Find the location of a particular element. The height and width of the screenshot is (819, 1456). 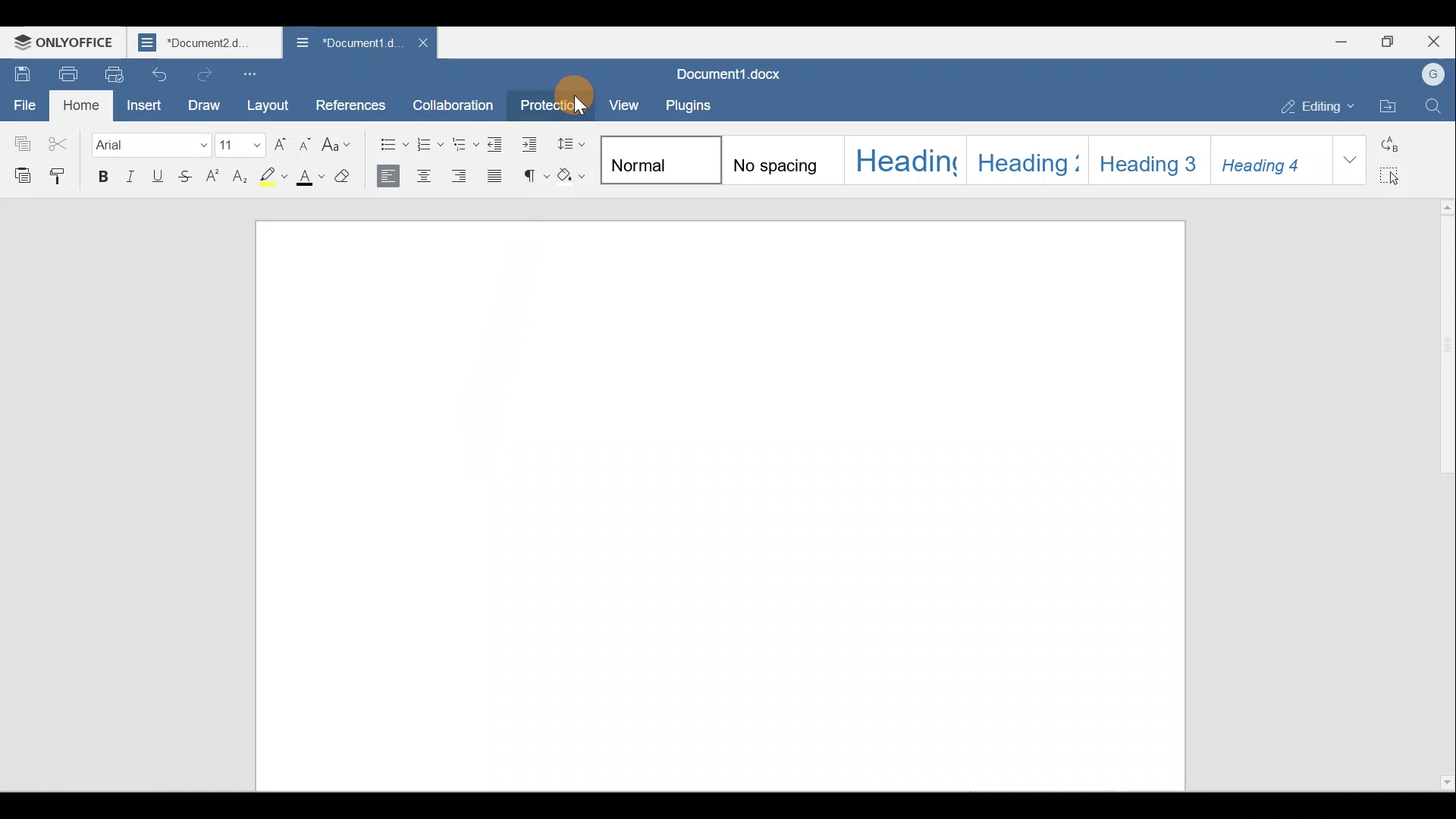

Scroll bar is located at coordinates (1439, 495).